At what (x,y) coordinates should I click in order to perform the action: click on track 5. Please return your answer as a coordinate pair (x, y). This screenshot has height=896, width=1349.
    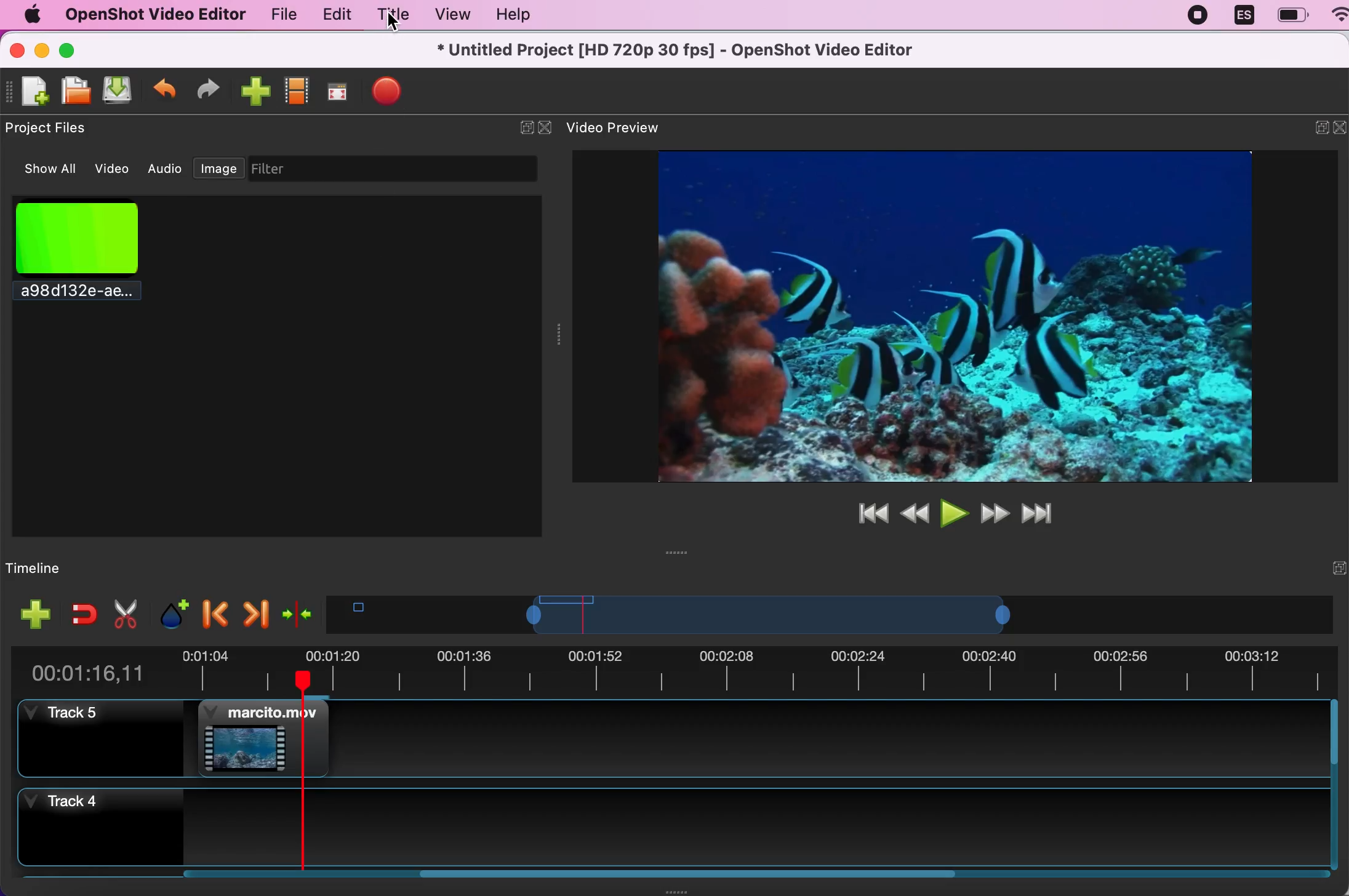
    Looking at the image, I should click on (686, 740).